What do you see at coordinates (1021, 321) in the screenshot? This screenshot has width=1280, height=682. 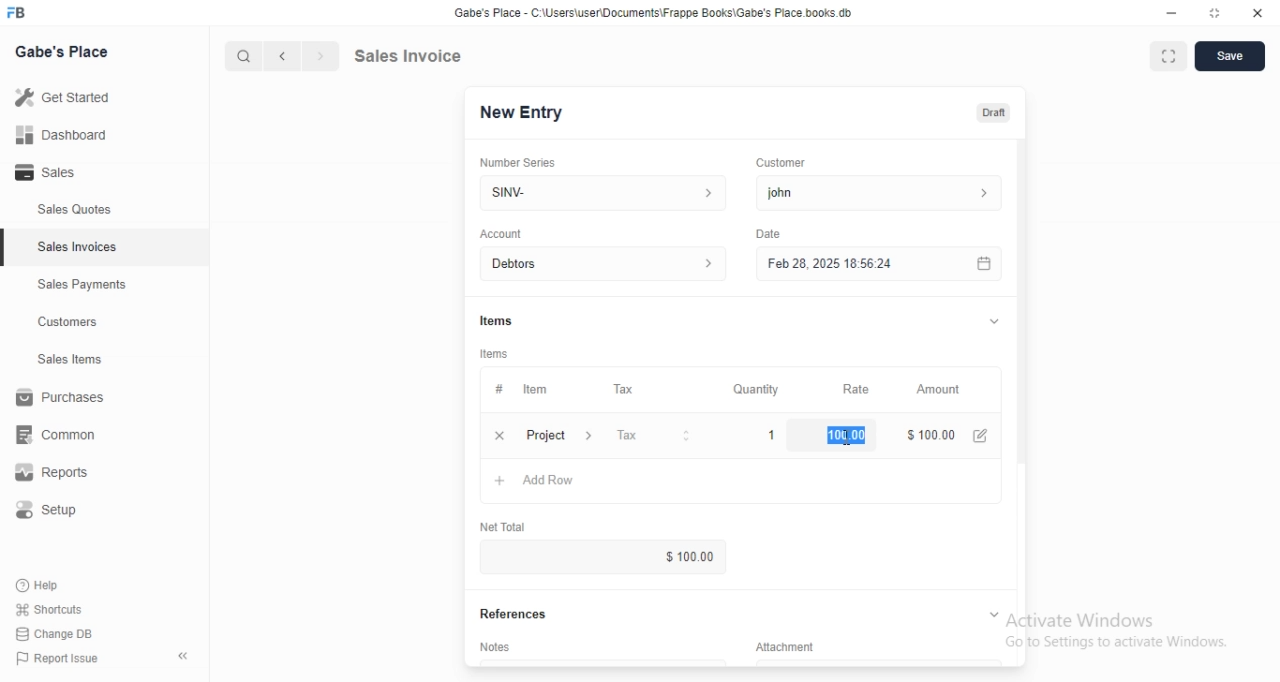 I see `scroll bar` at bounding box center [1021, 321].